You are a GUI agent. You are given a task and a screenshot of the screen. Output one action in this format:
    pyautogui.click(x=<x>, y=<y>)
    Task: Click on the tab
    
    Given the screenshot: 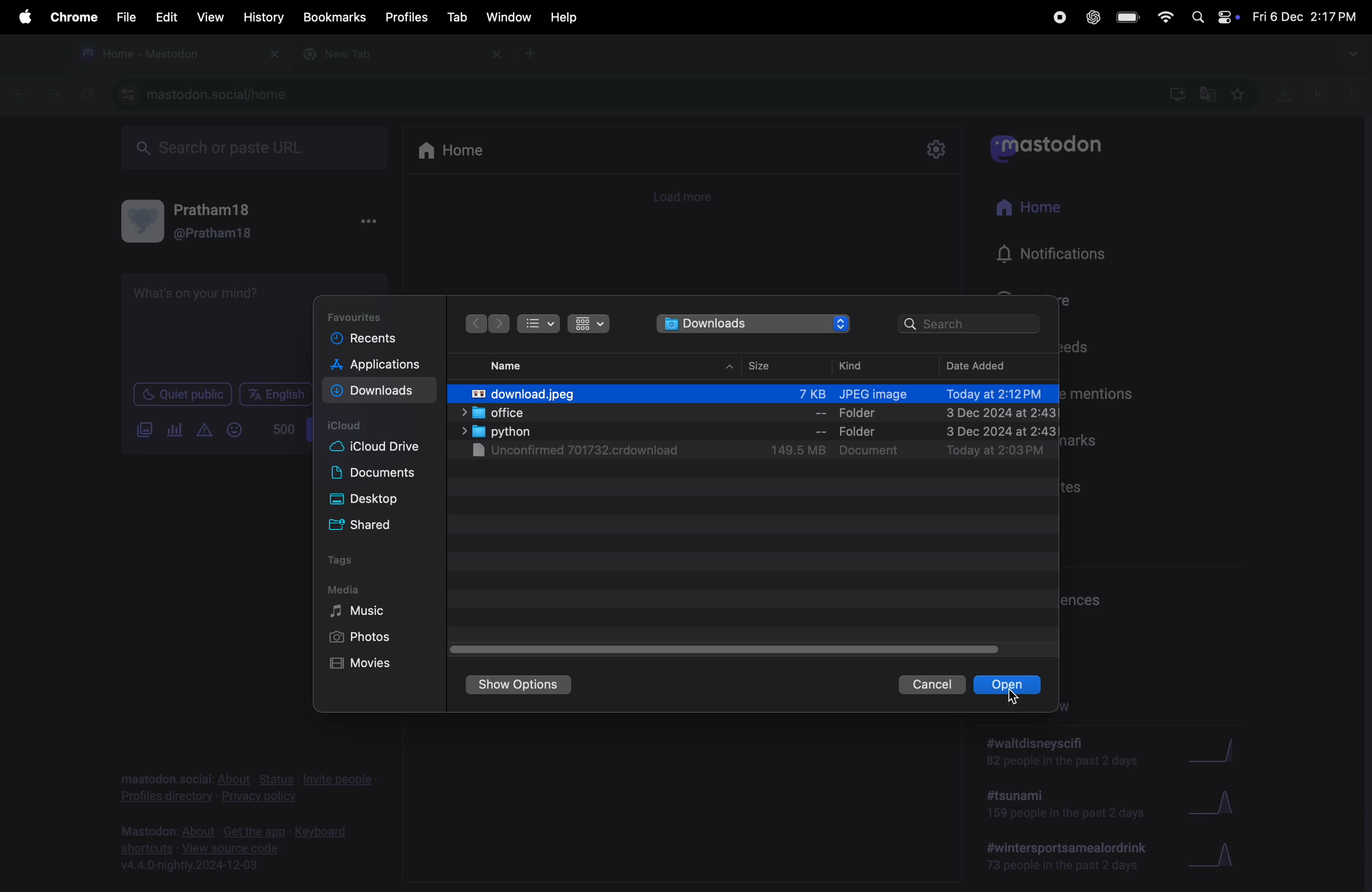 What is the action you would take?
    pyautogui.click(x=455, y=17)
    